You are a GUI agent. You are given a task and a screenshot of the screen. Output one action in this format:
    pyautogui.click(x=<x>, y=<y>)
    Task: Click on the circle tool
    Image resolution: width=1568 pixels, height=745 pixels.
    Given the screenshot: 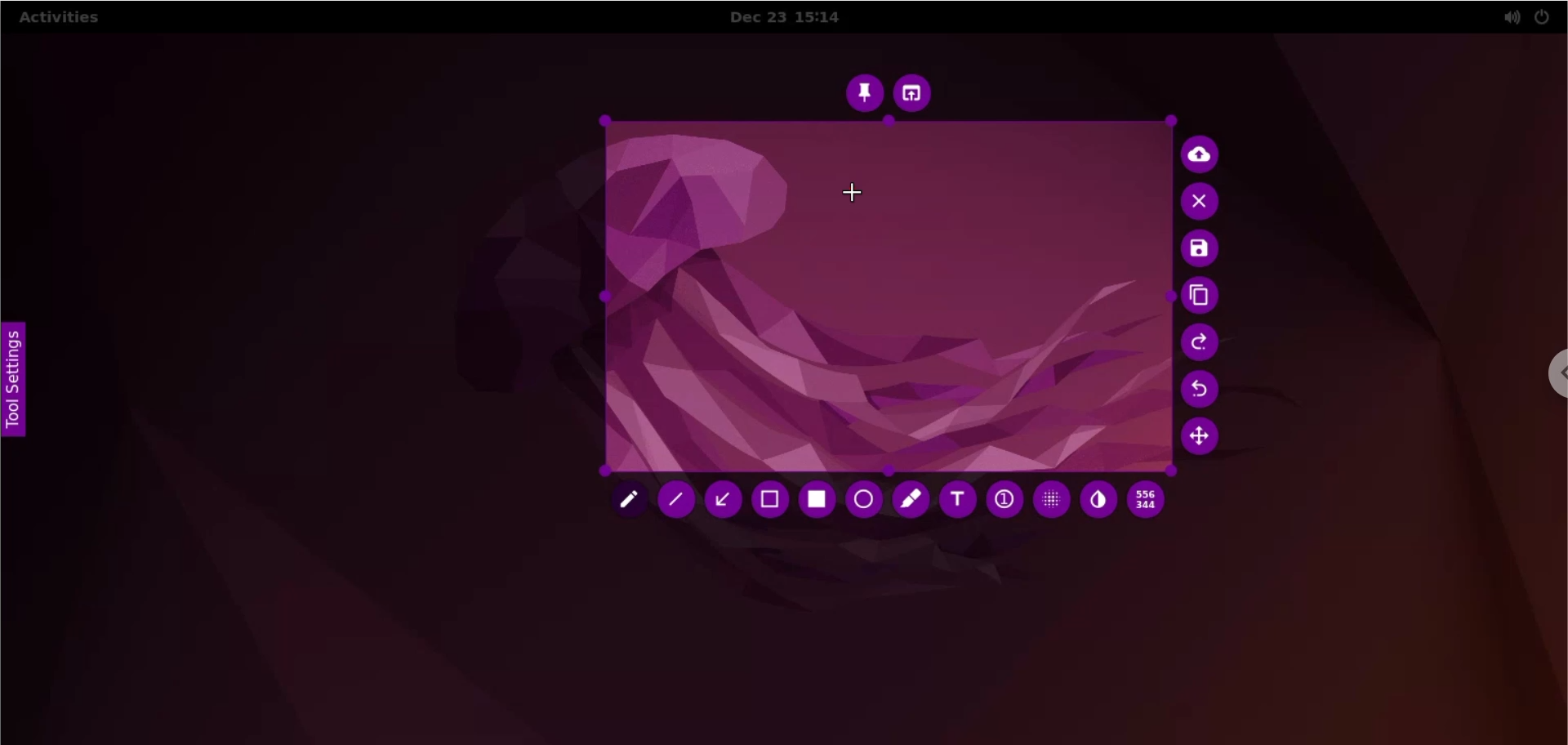 What is the action you would take?
    pyautogui.click(x=863, y=499)
    